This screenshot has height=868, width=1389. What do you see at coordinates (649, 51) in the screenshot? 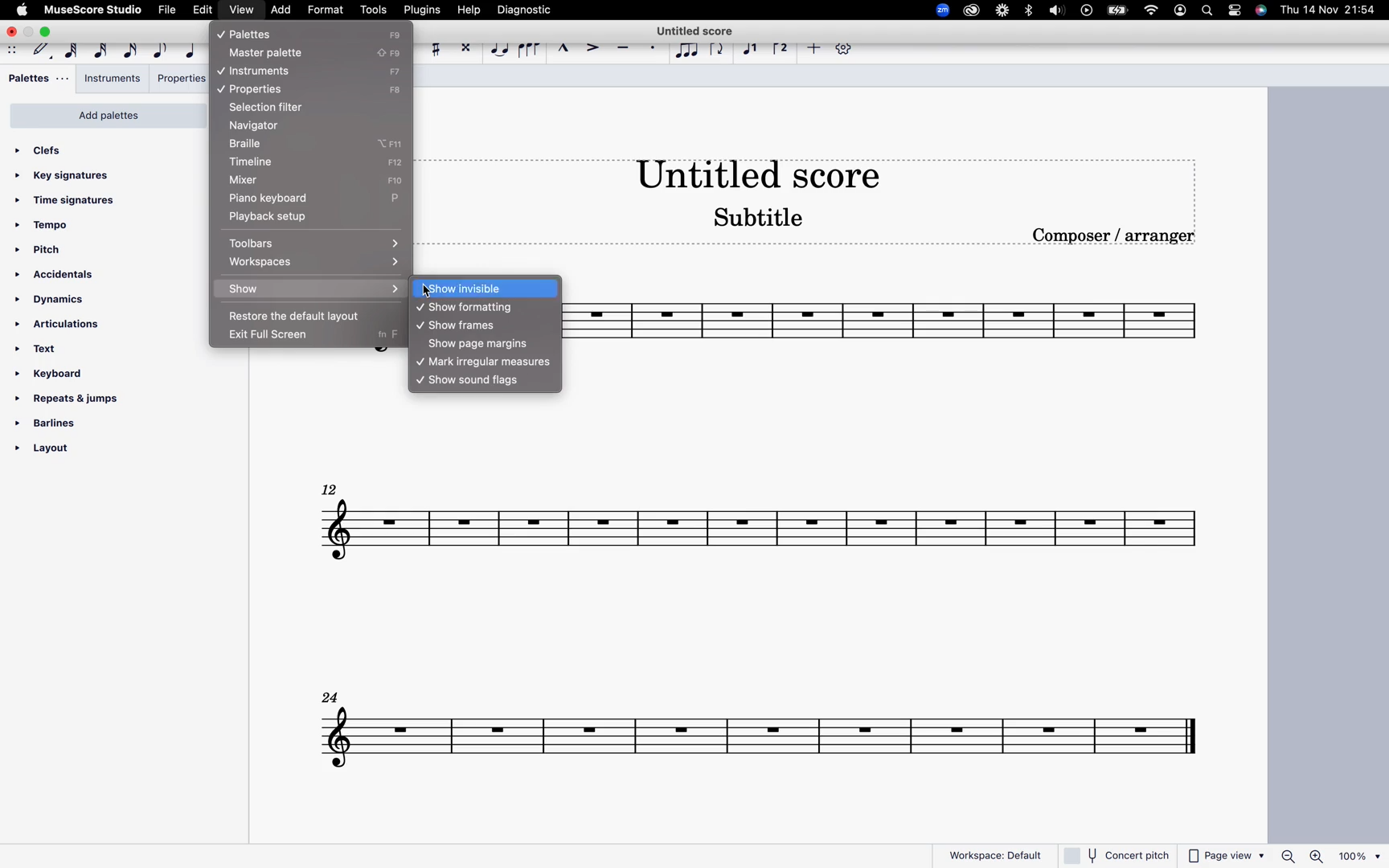
I see `staccato` at bounding box center [649, 51].